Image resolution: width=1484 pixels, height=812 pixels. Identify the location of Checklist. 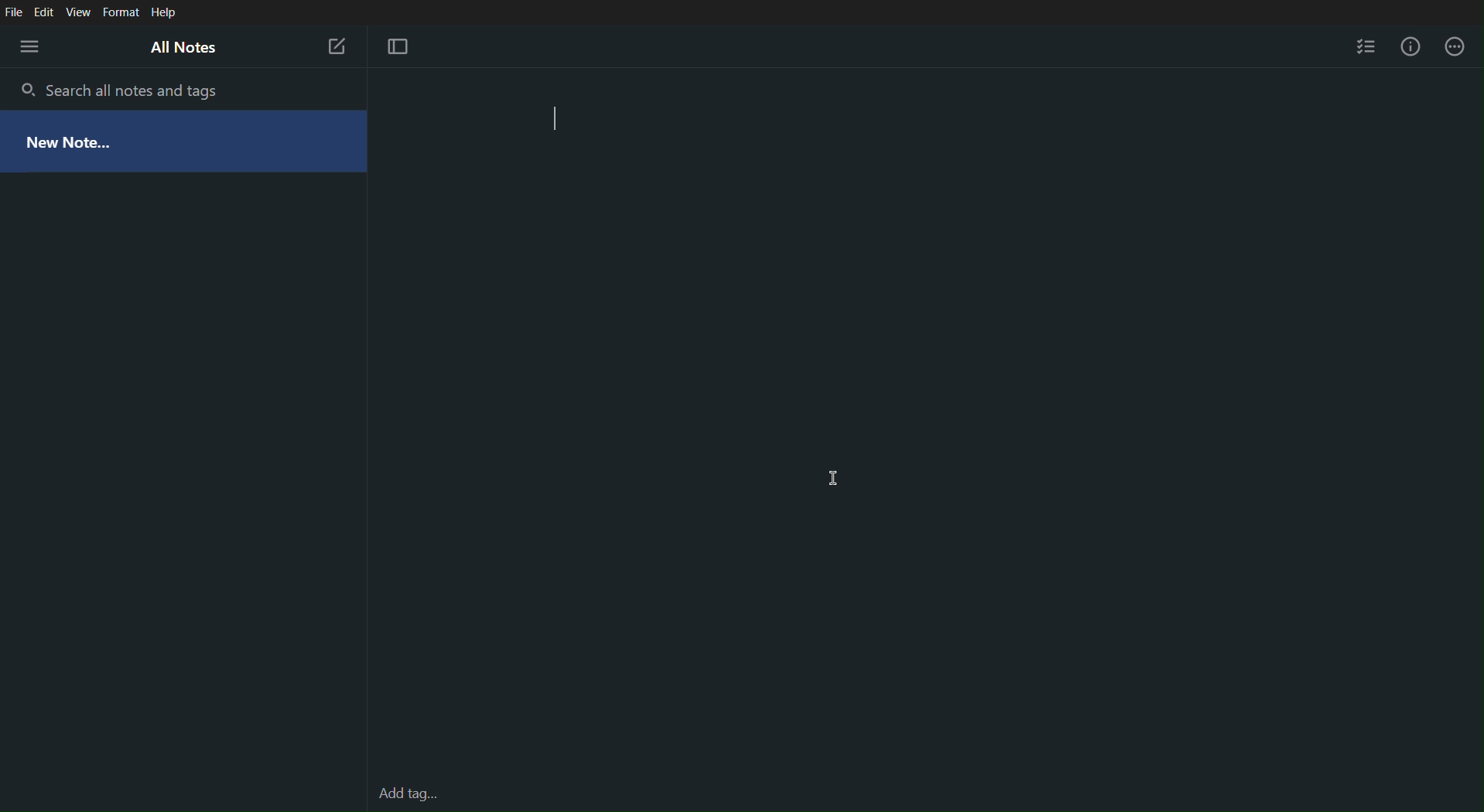
(1368, 44).